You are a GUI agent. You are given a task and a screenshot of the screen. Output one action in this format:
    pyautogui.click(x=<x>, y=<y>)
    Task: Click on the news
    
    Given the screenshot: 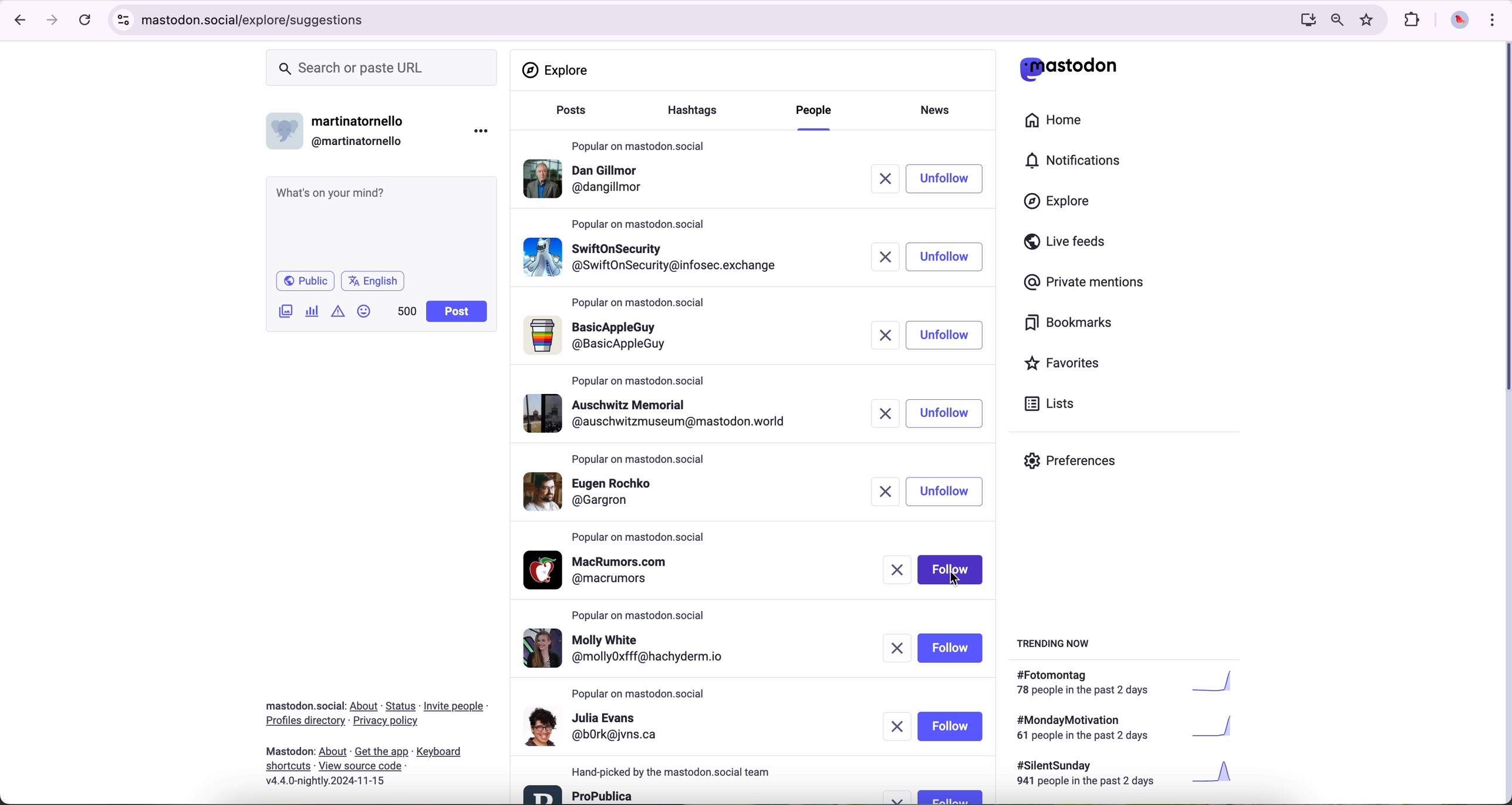 What is the action you would take?
    pyautogui.click(x=939, y=109)
    